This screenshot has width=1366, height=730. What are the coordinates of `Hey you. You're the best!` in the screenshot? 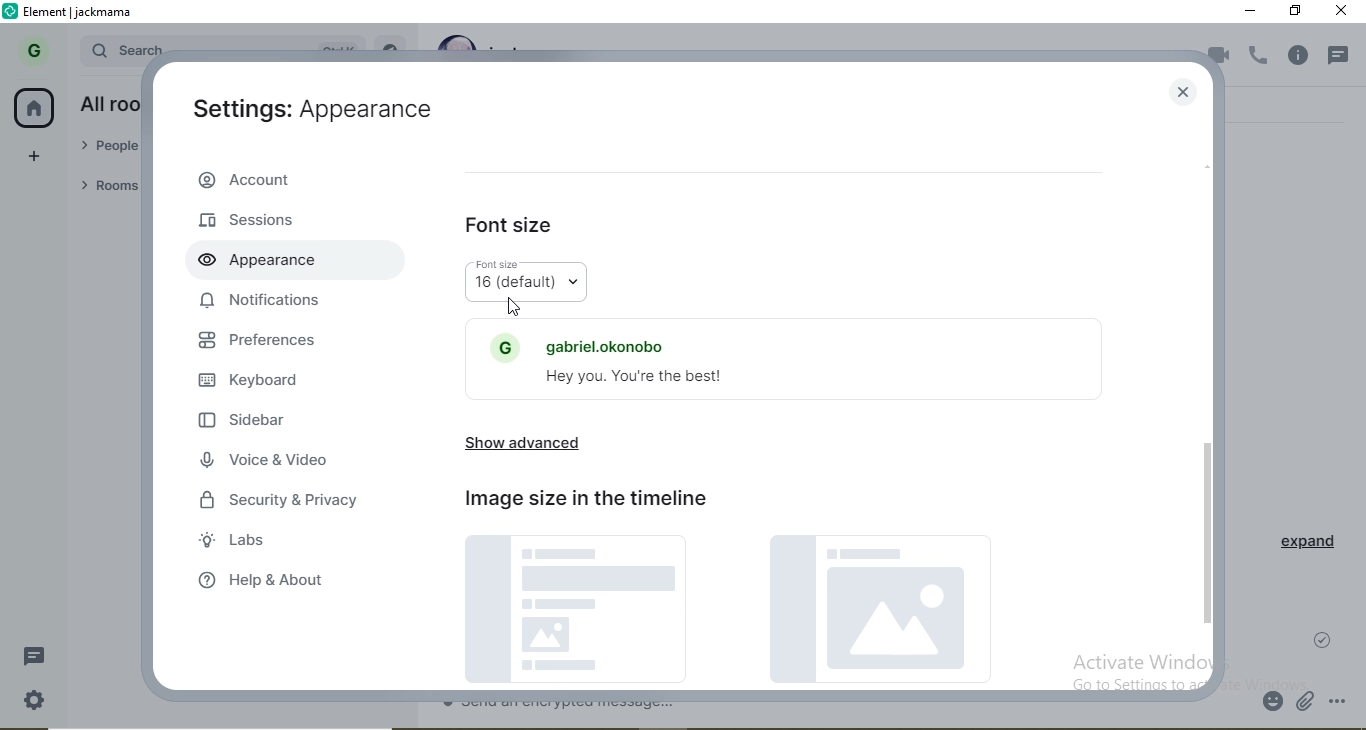 It's located at (646, 379).